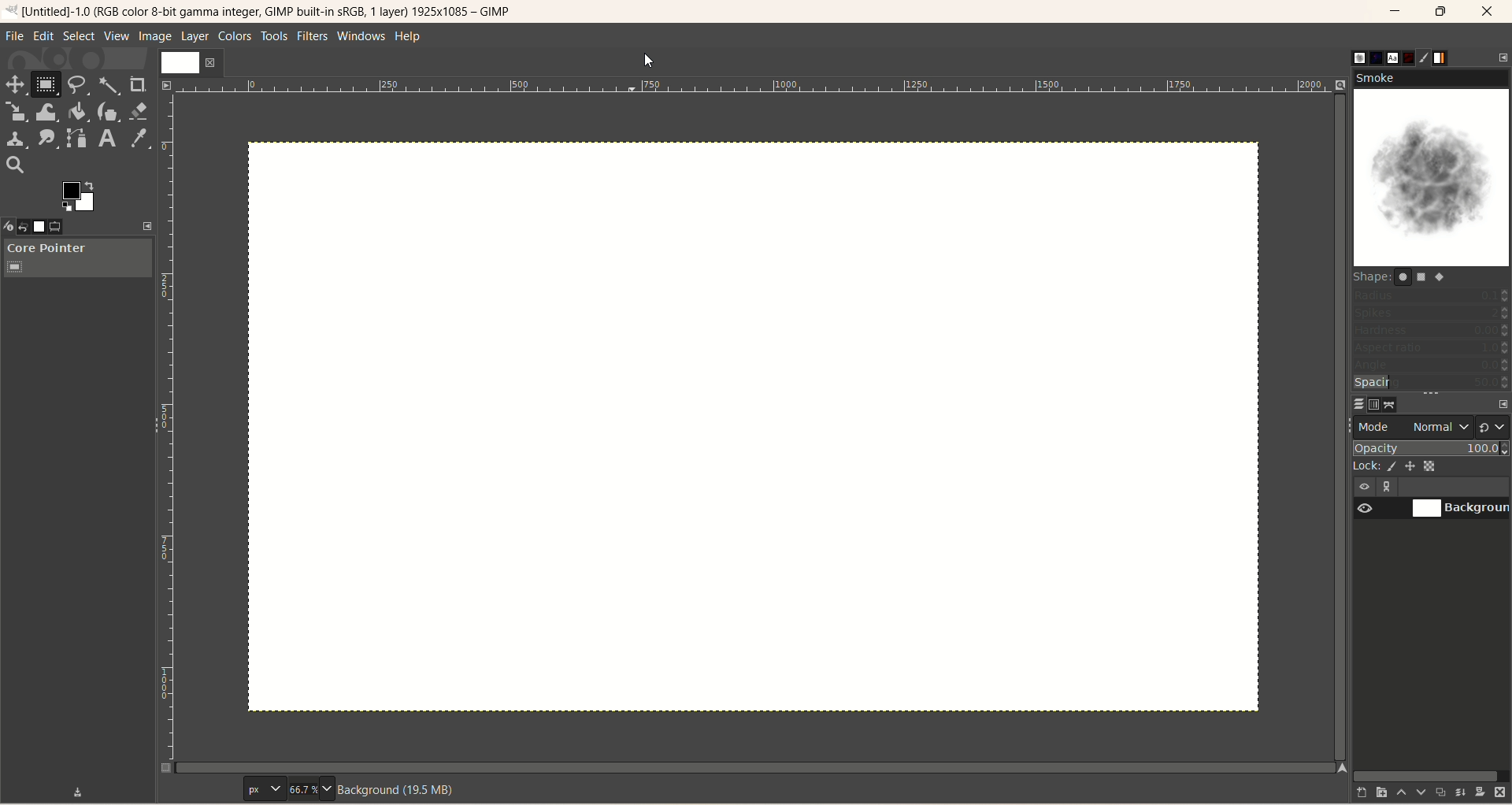  What do you see at coordinates (45, 87) in the screenshot?
I see `rectangle select tool` at bounding box center [45, 87].